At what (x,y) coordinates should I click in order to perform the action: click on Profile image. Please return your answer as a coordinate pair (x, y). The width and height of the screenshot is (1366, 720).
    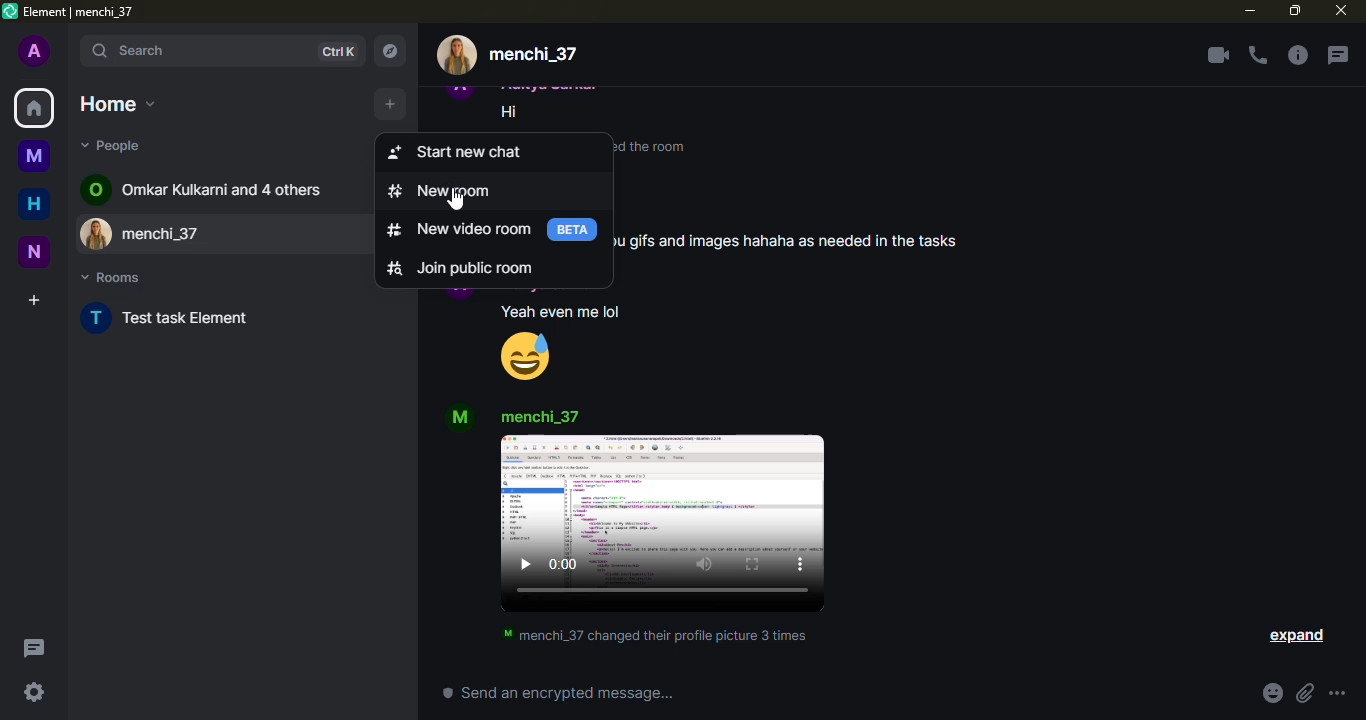
    Looking at the image, I should click on (98, 233).